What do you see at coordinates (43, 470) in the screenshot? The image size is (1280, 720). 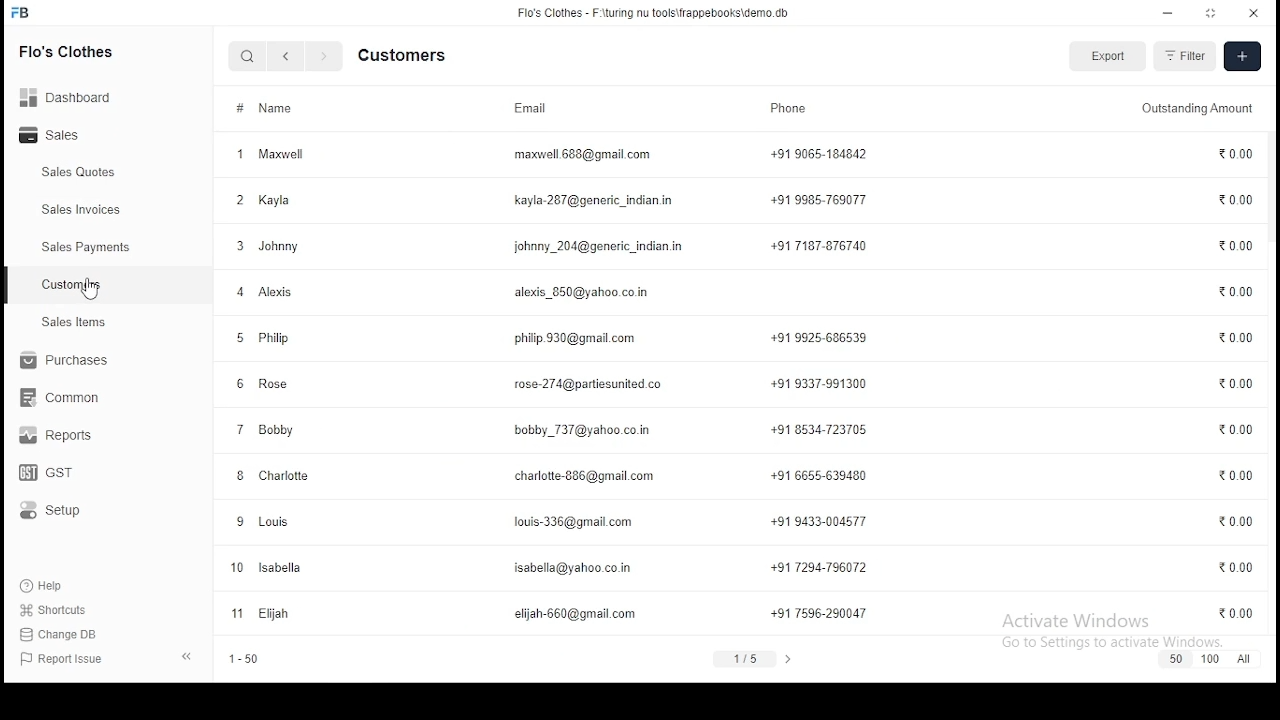 I see `gst` at bounding box center [43, 470].